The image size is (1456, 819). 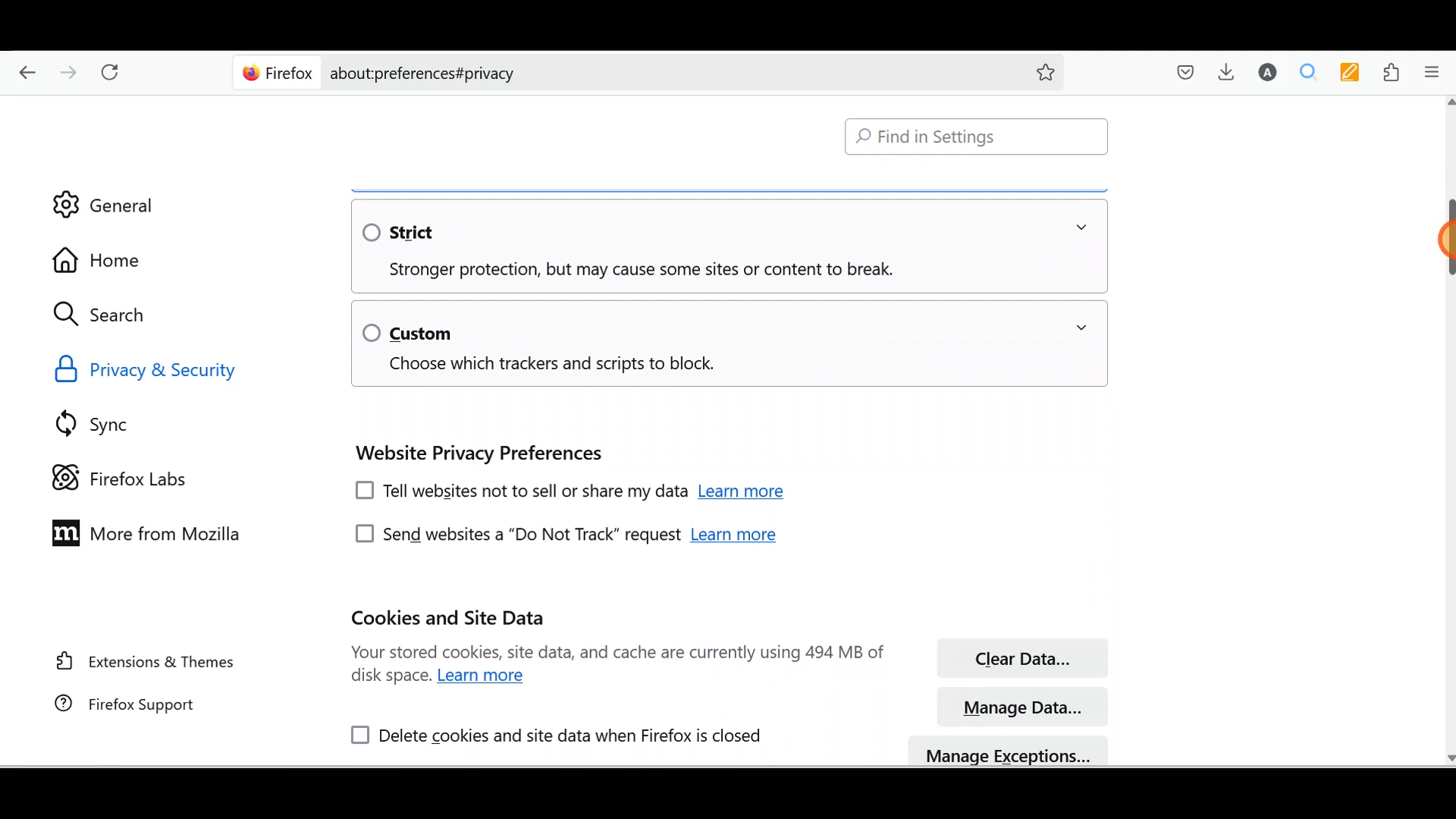 What do you see at coordinates (1447, 241) in the screenshot?
I see `Vertical scrollbar` at bounding box center [1447, 241].